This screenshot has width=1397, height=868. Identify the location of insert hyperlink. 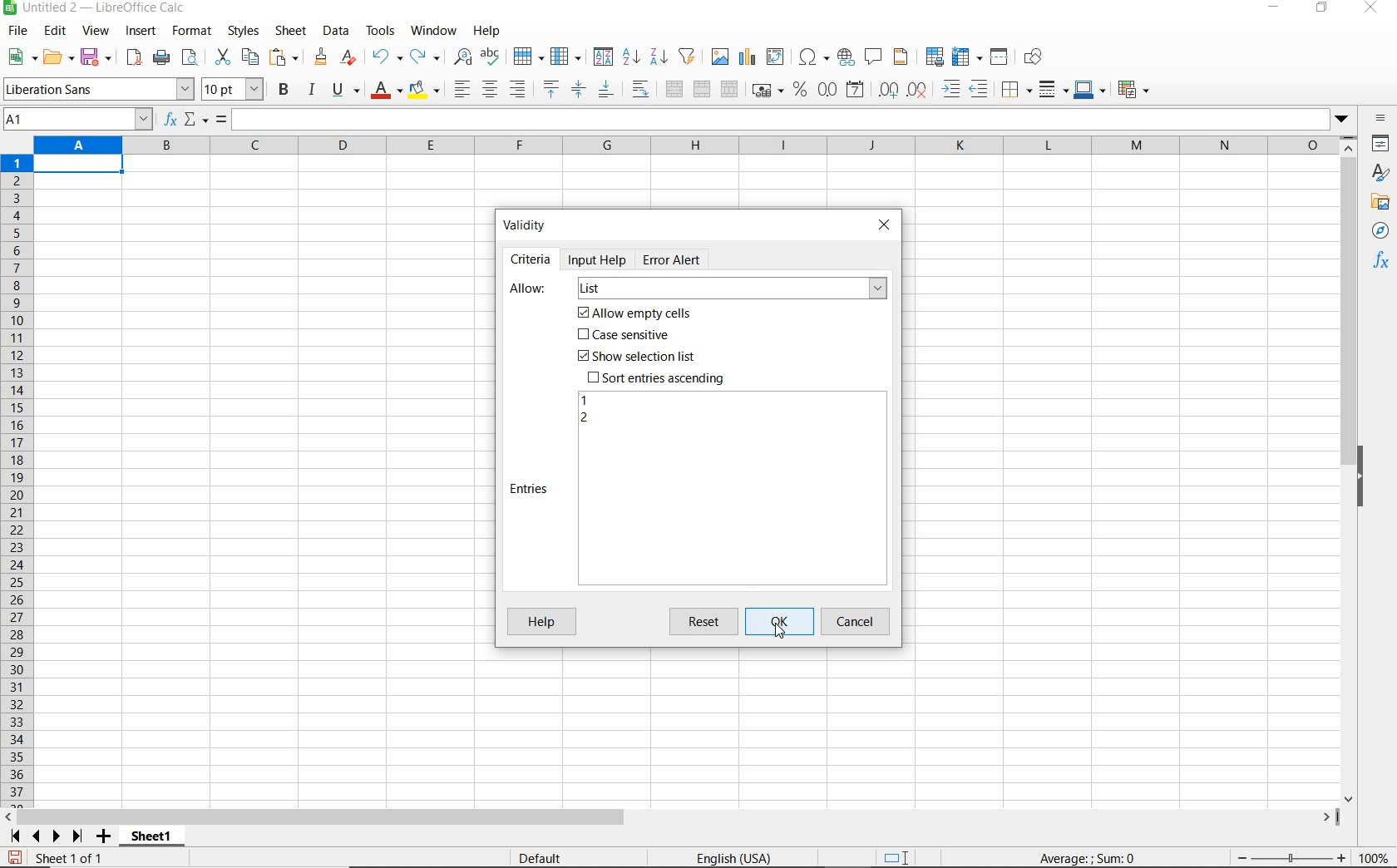
(846, 56).